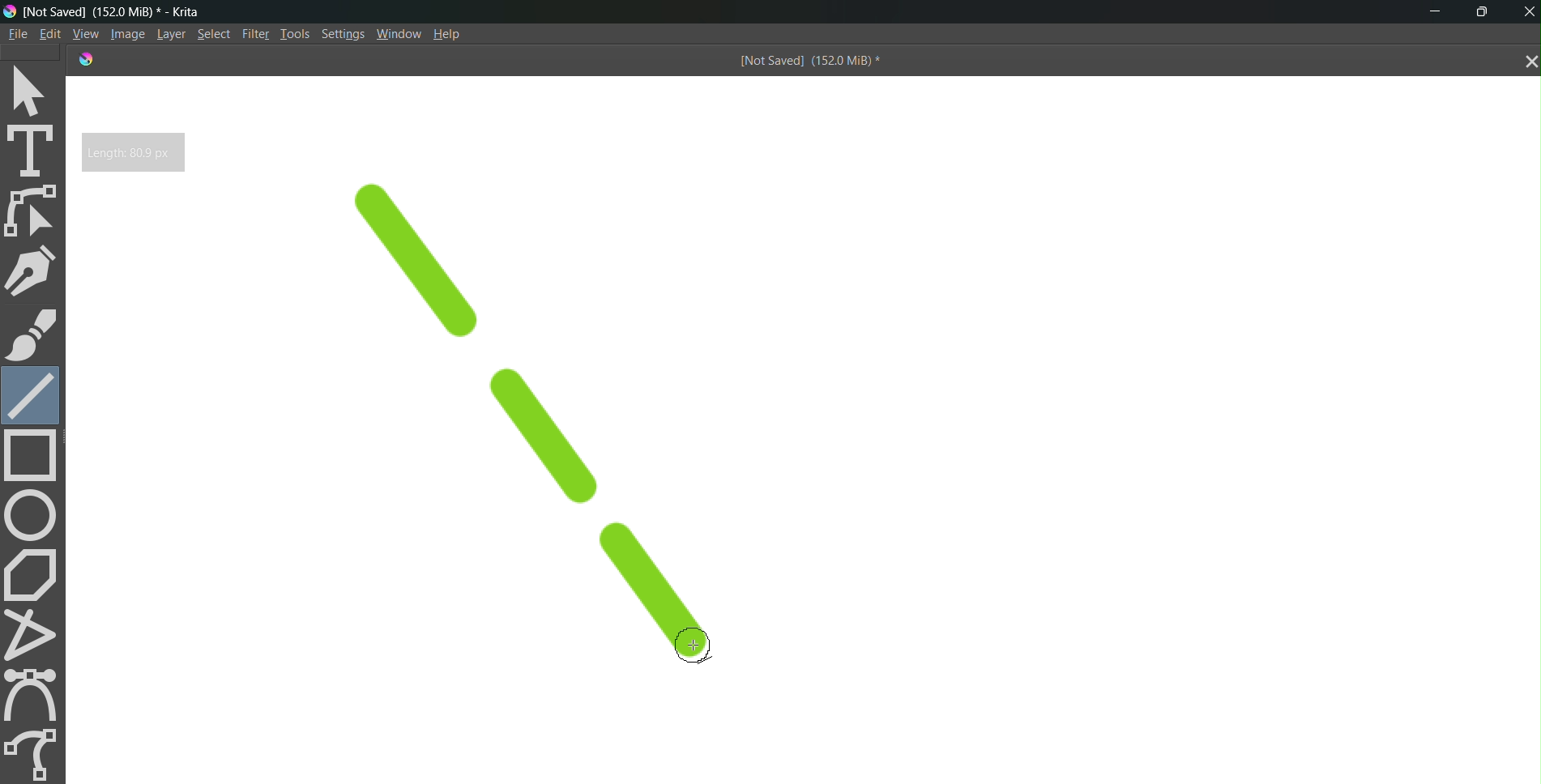 The height and width of the screenshot is (784, 1541). I want to click on Select, so click(214, 35).